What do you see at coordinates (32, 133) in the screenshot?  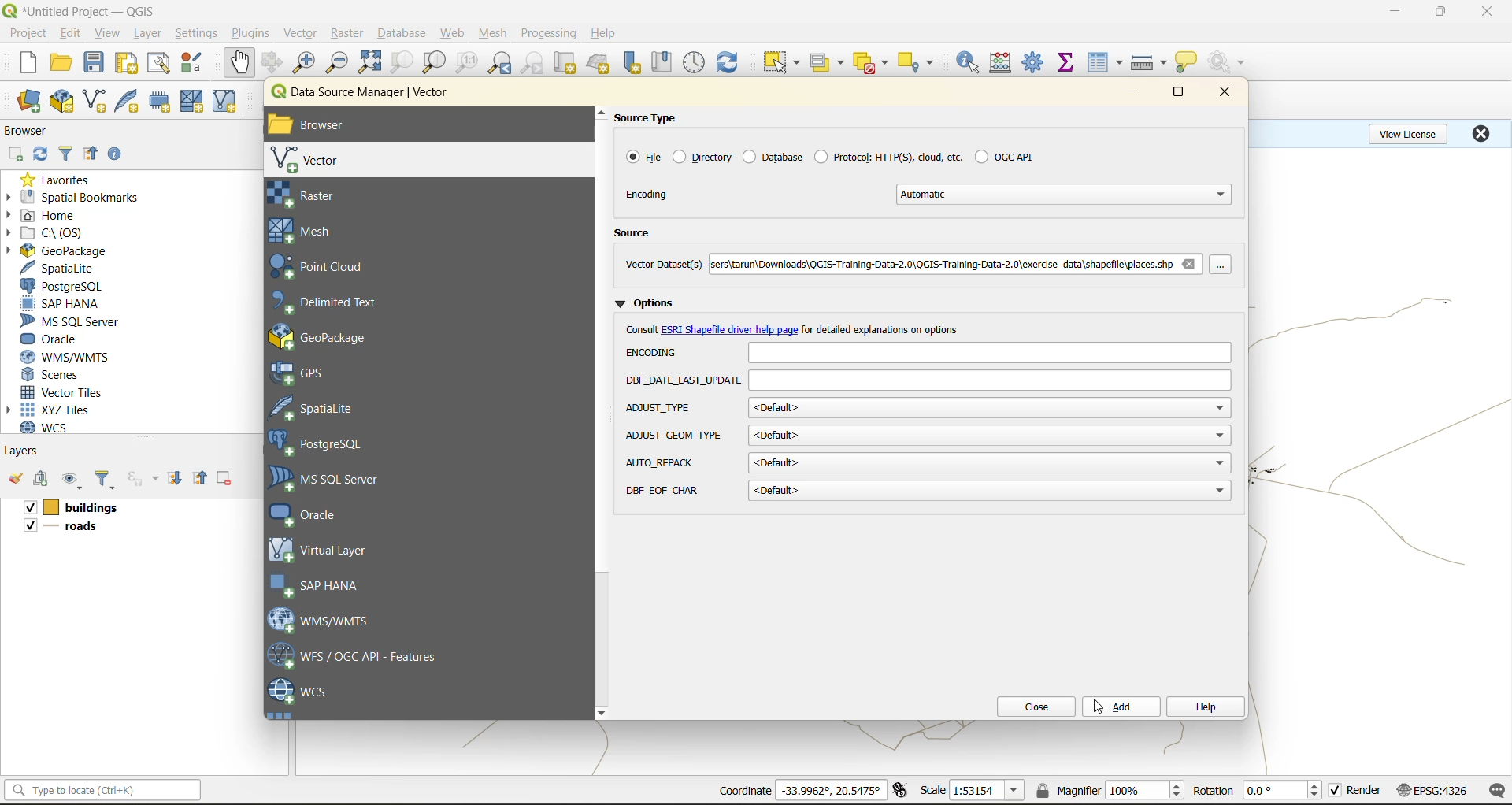 I see `browser` at bounding box center [32, 133].